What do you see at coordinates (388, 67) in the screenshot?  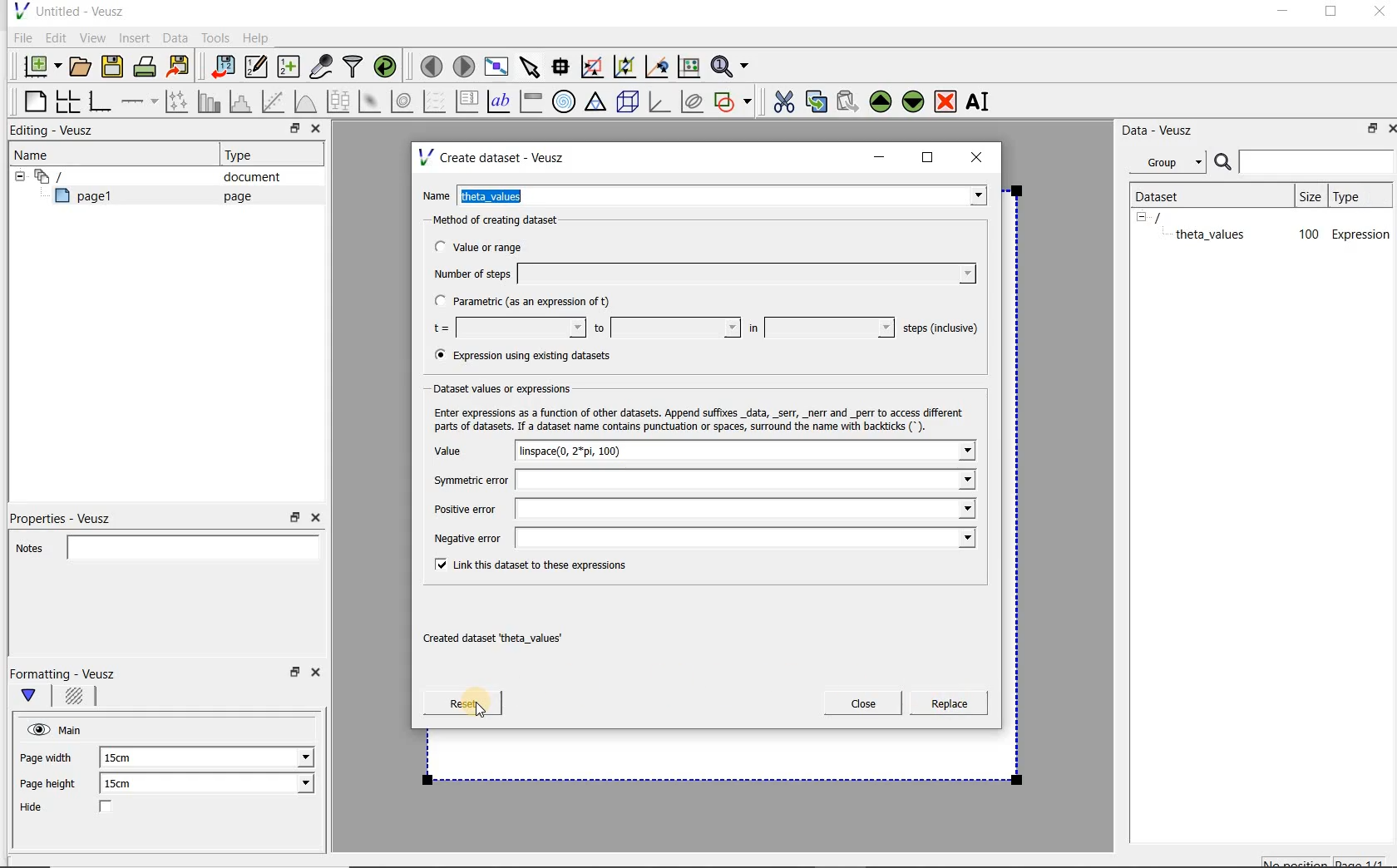 I see `reload linked datasets` at bounding box center [388, 67].